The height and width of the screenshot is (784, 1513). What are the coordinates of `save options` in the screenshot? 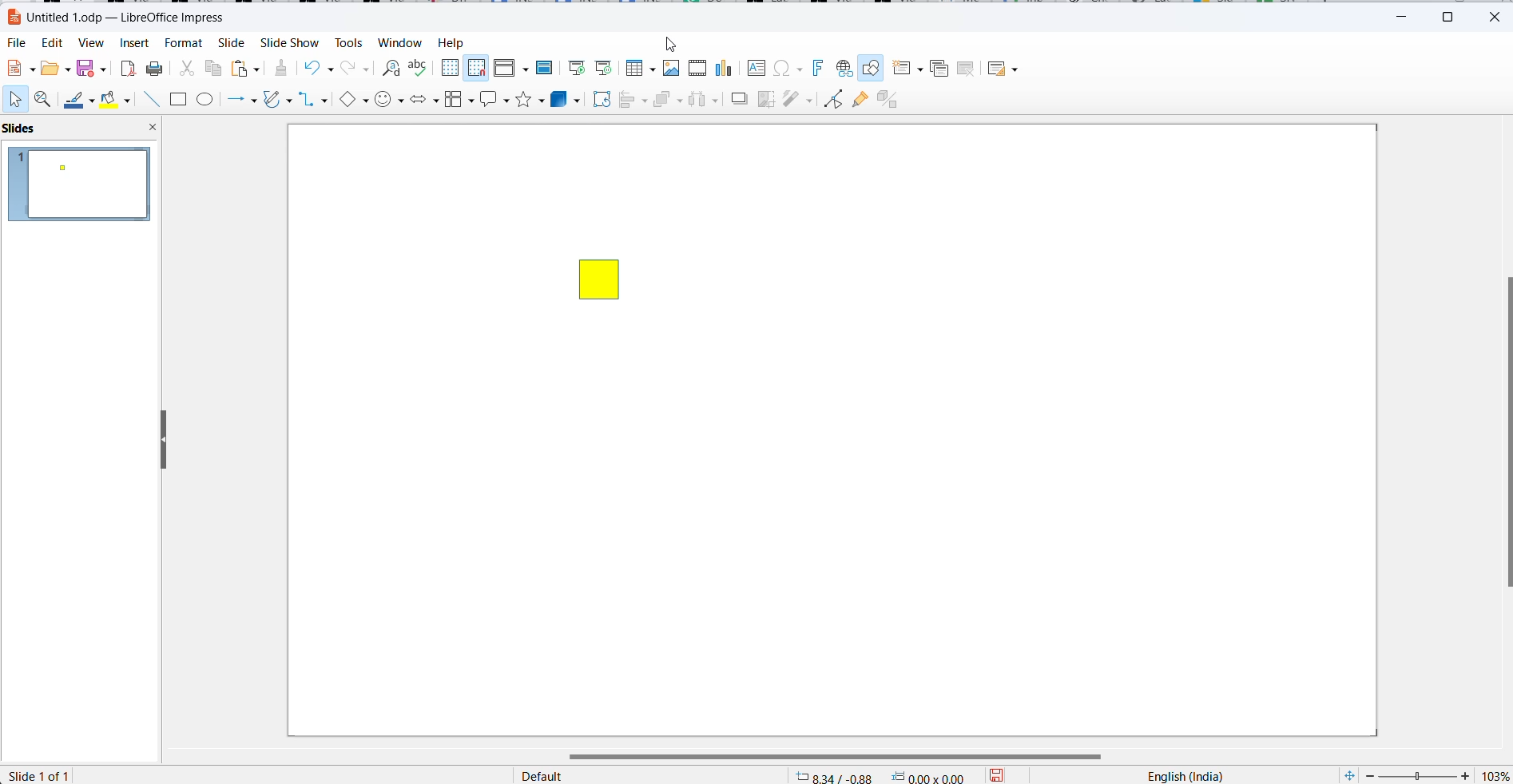 It's located at (1001, 774).